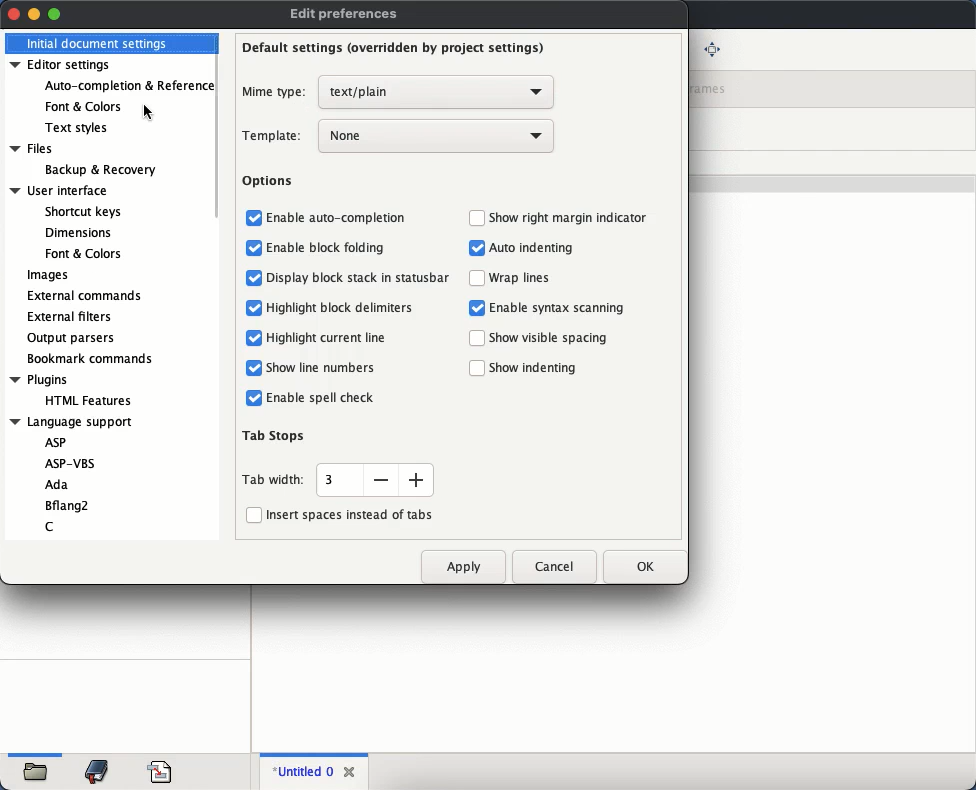 This screenshot has width=976, height=790. I want to click on display block stack in statusbar, so click(347, 278).